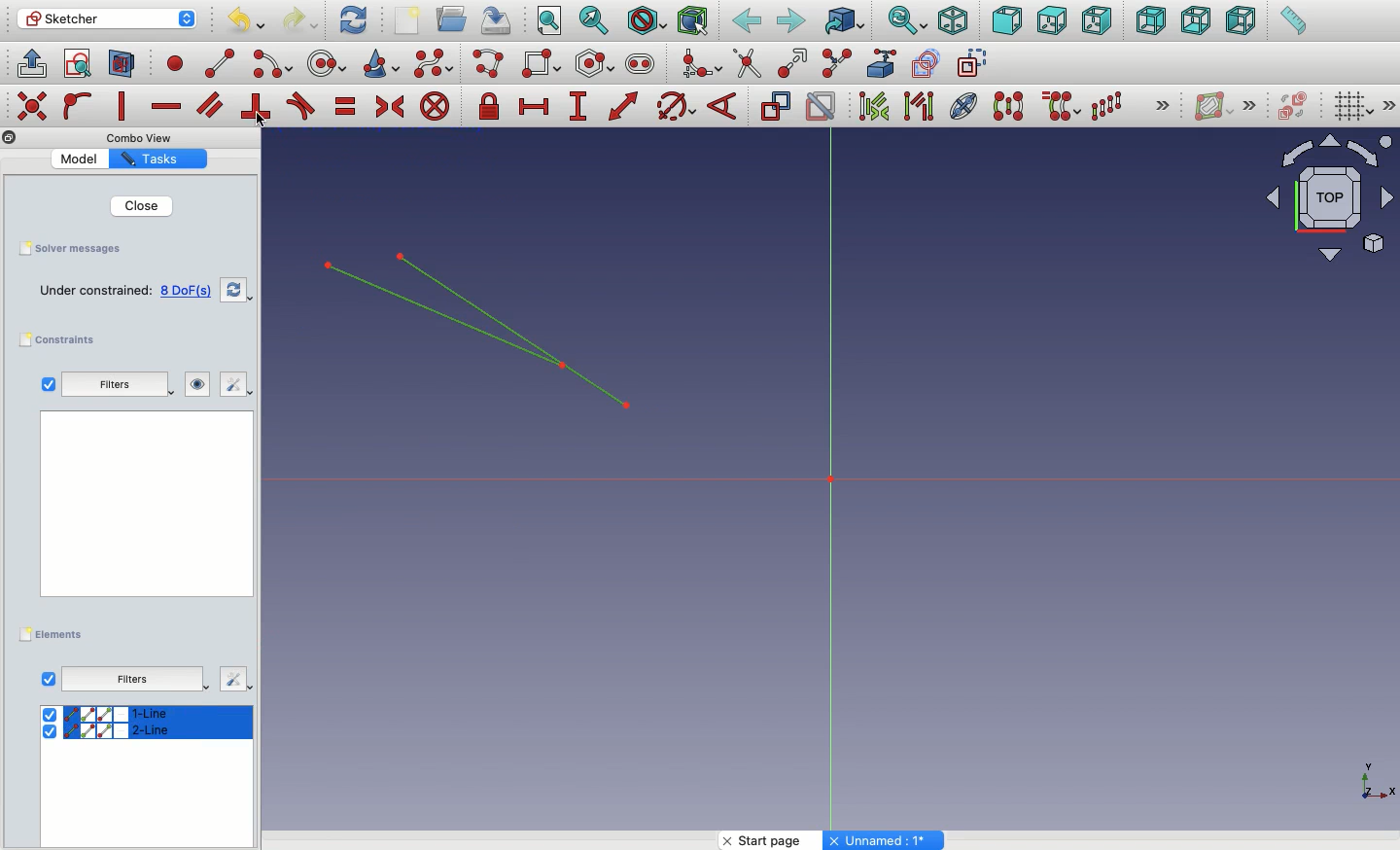  What do you see at coordinates (975, 64) in the screenshot?
I see `construction geometry` at bounding box center [975, 64].